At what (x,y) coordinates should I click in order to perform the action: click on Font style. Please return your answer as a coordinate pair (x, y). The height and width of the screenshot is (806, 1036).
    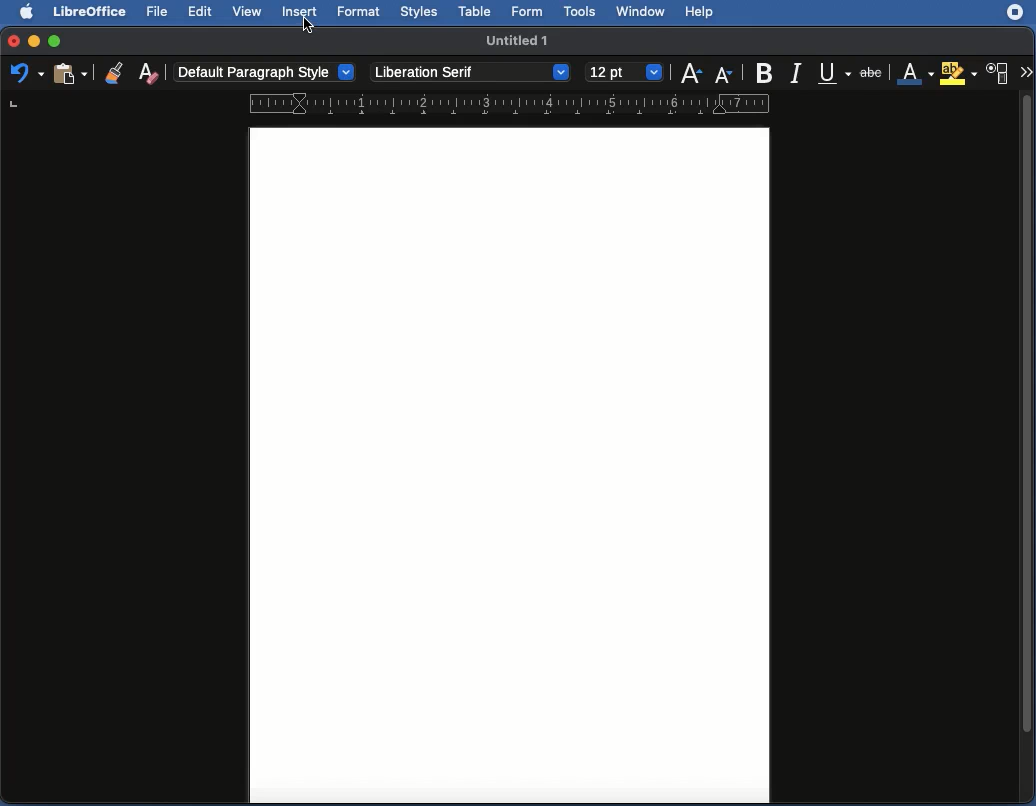
    Looking at the image, I should click on (471, 72).